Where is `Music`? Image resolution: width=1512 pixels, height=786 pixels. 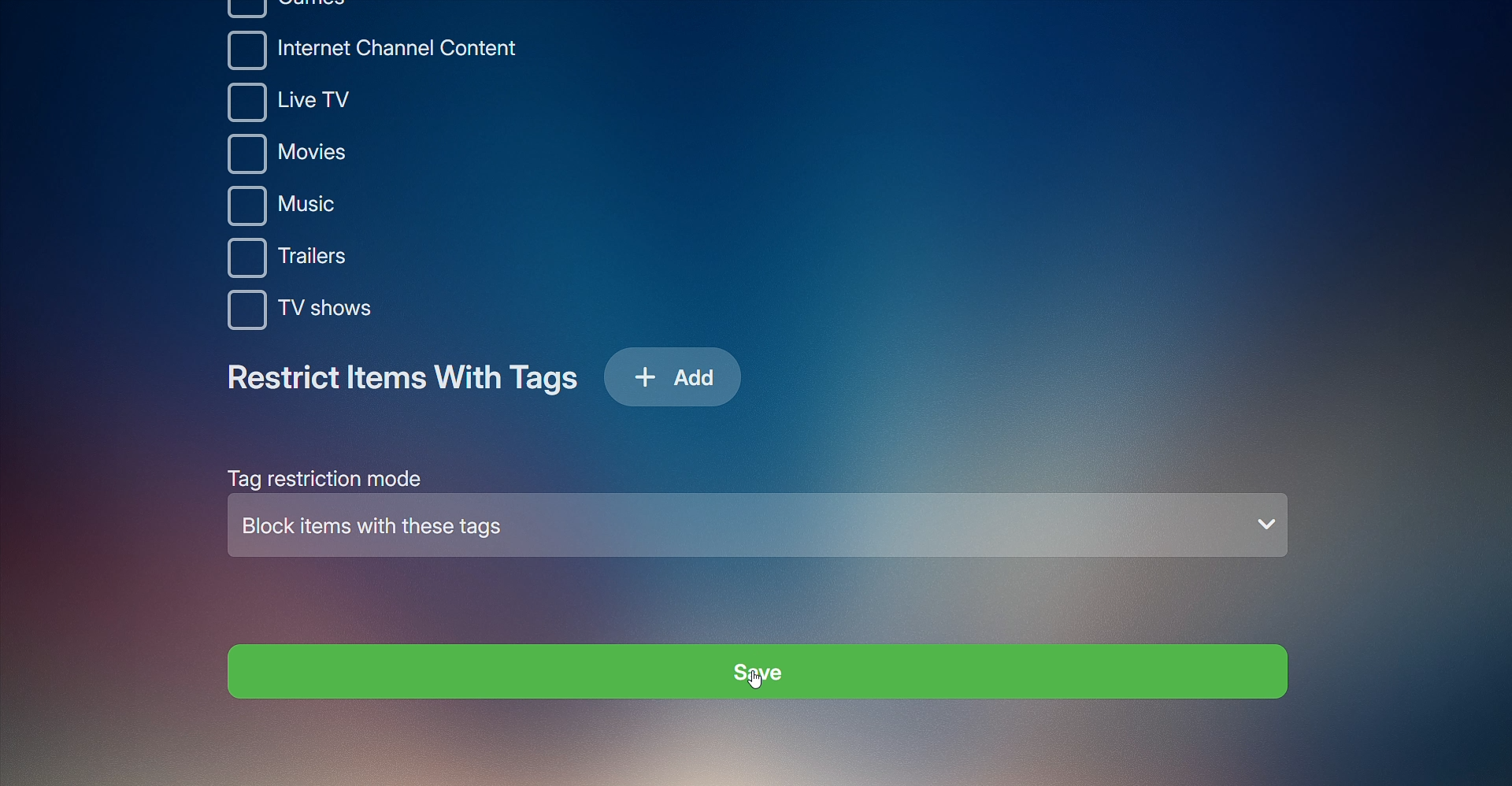 Music is located at coordinates (319, 207).